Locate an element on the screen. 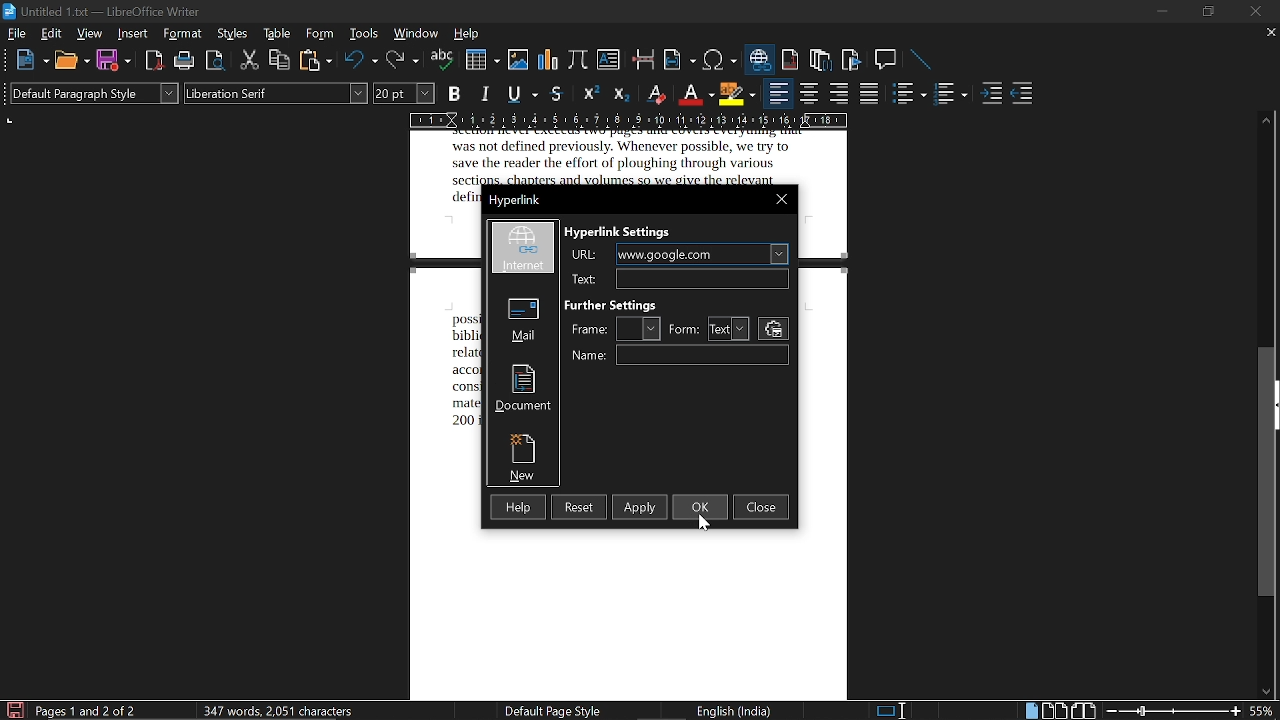 The width and height of the screenshot is (1280, 720). open is located at coordinates (71, 61).